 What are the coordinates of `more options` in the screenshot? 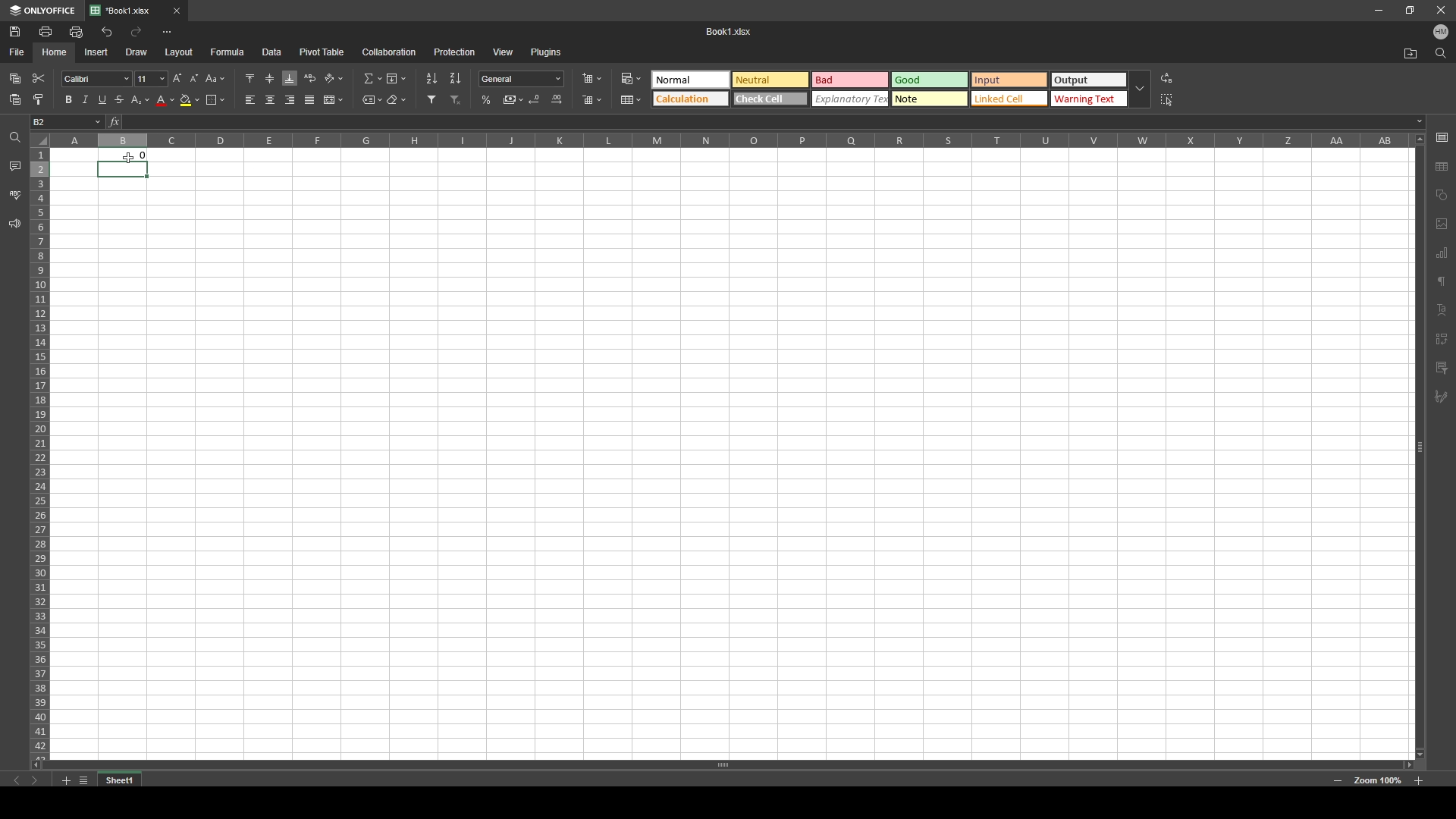 It's located at (168, 33).